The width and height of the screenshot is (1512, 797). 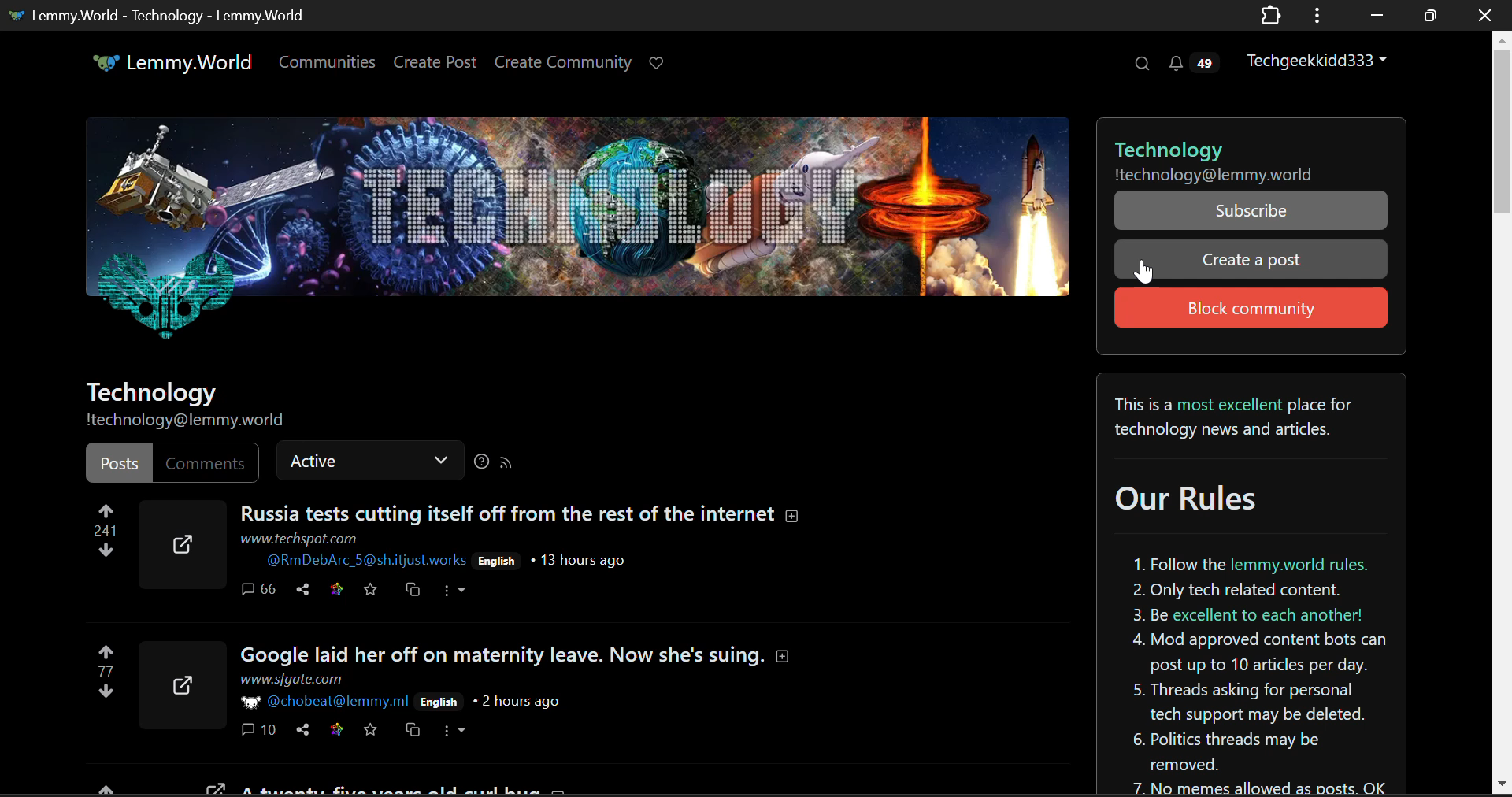 I want to click on RSS, so click(x=507, y=462).